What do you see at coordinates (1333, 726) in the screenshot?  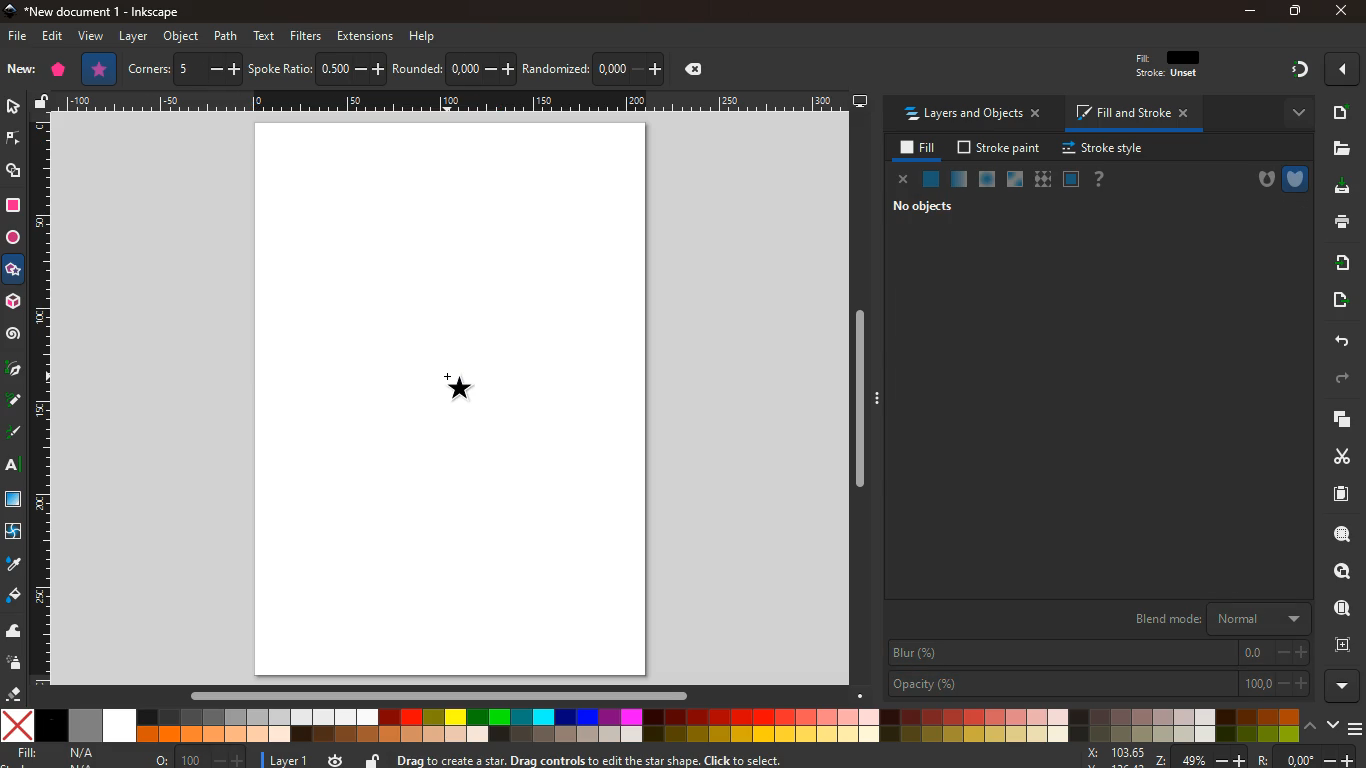 I see `down` at bounding box center [1333, 726].